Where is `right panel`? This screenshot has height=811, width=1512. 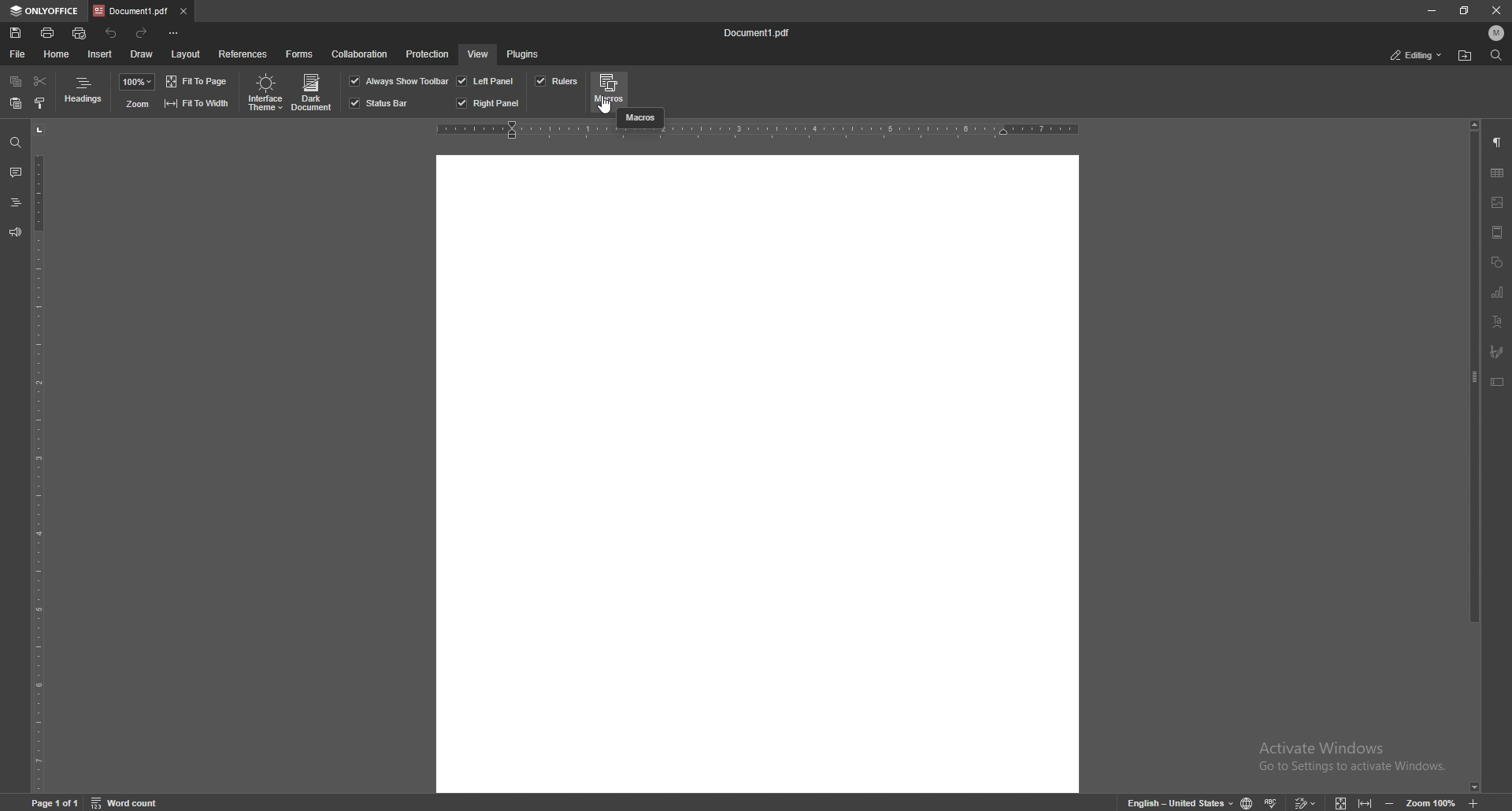 right panel is located at coordinates (488, 103).